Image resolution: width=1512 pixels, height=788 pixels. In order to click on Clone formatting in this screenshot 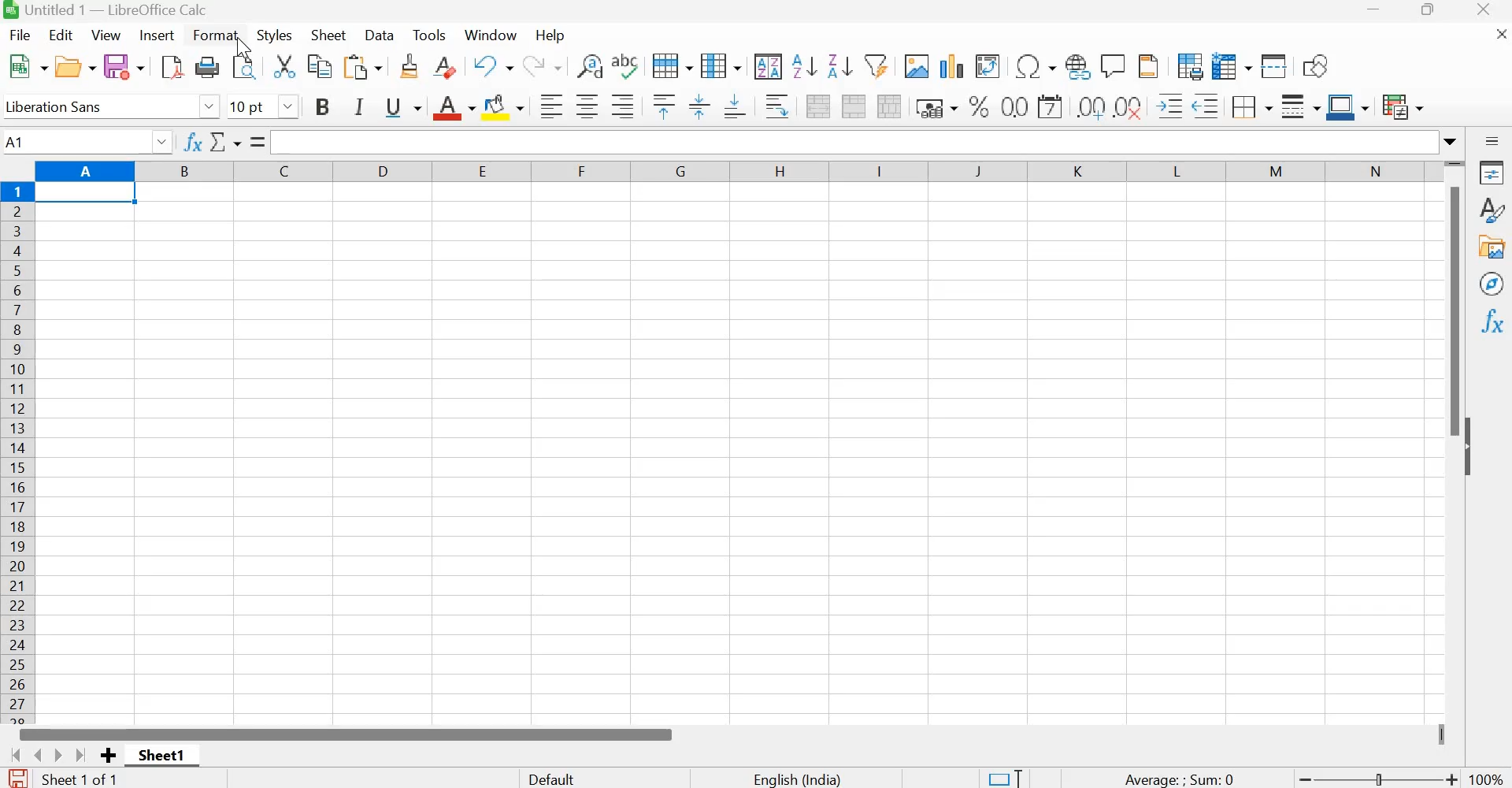, I will do `click(407, 66)`.